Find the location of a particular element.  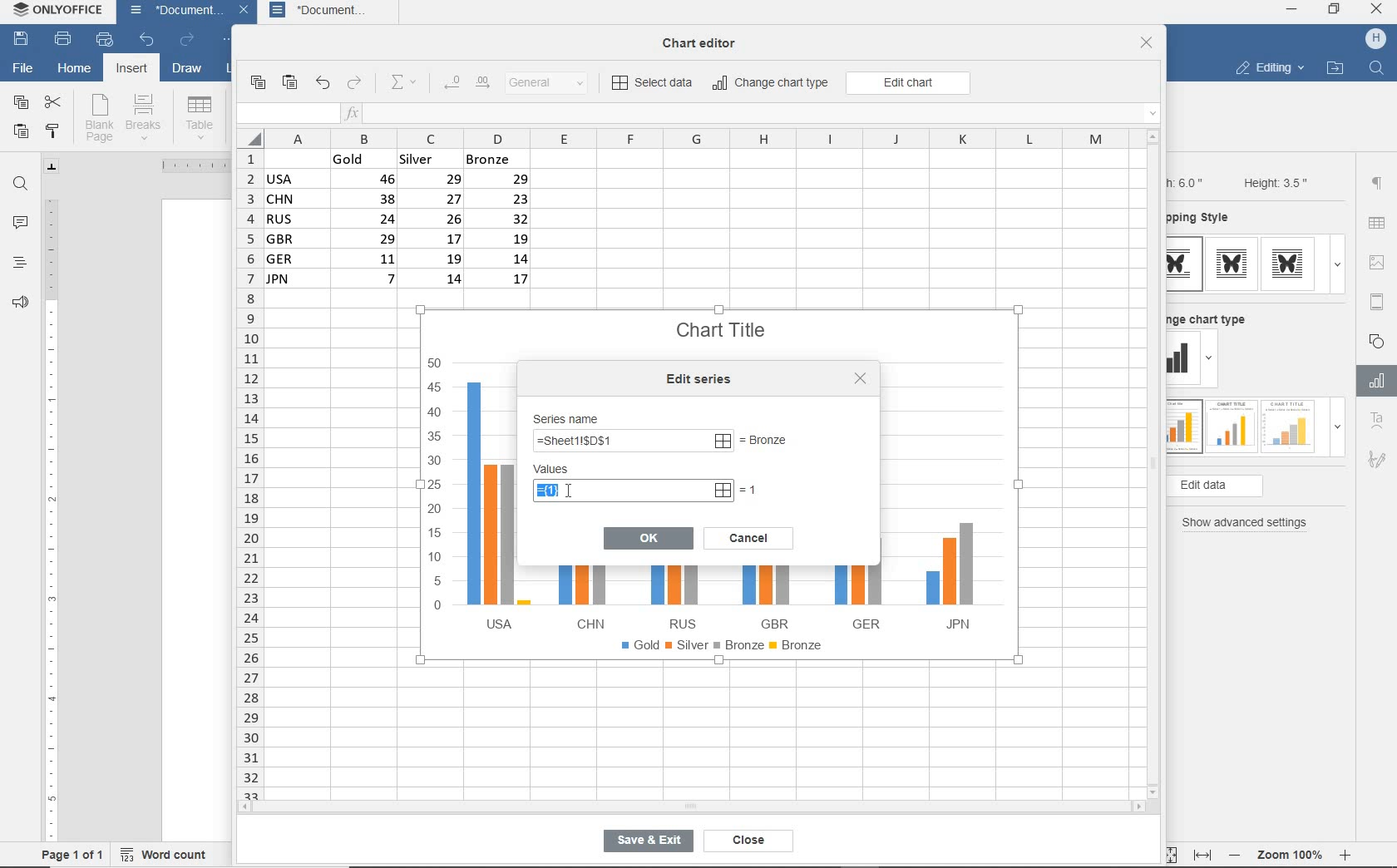

paste is located at coordinates (291, 83).